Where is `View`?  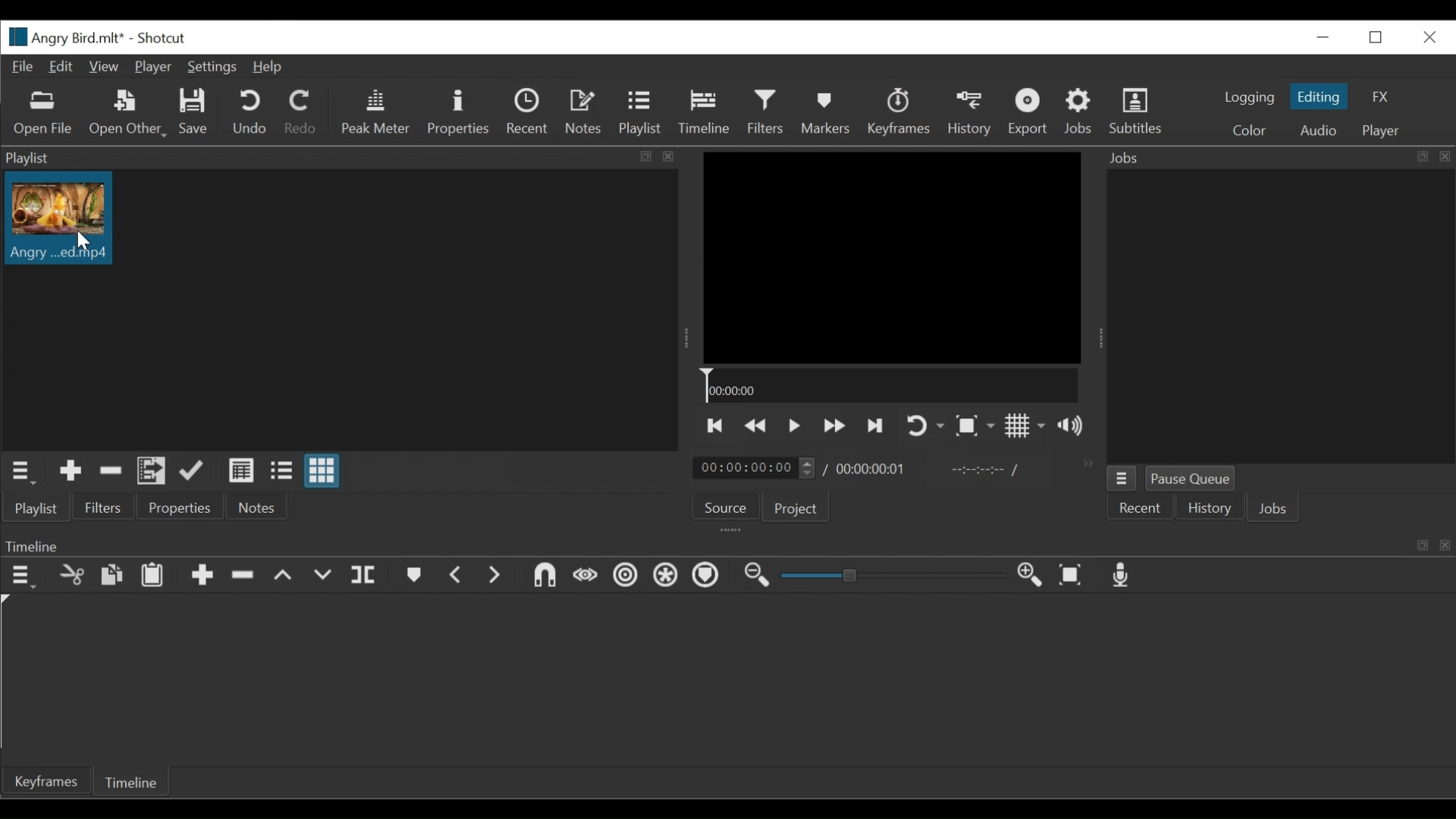 View is located at coordinates (103, 67).